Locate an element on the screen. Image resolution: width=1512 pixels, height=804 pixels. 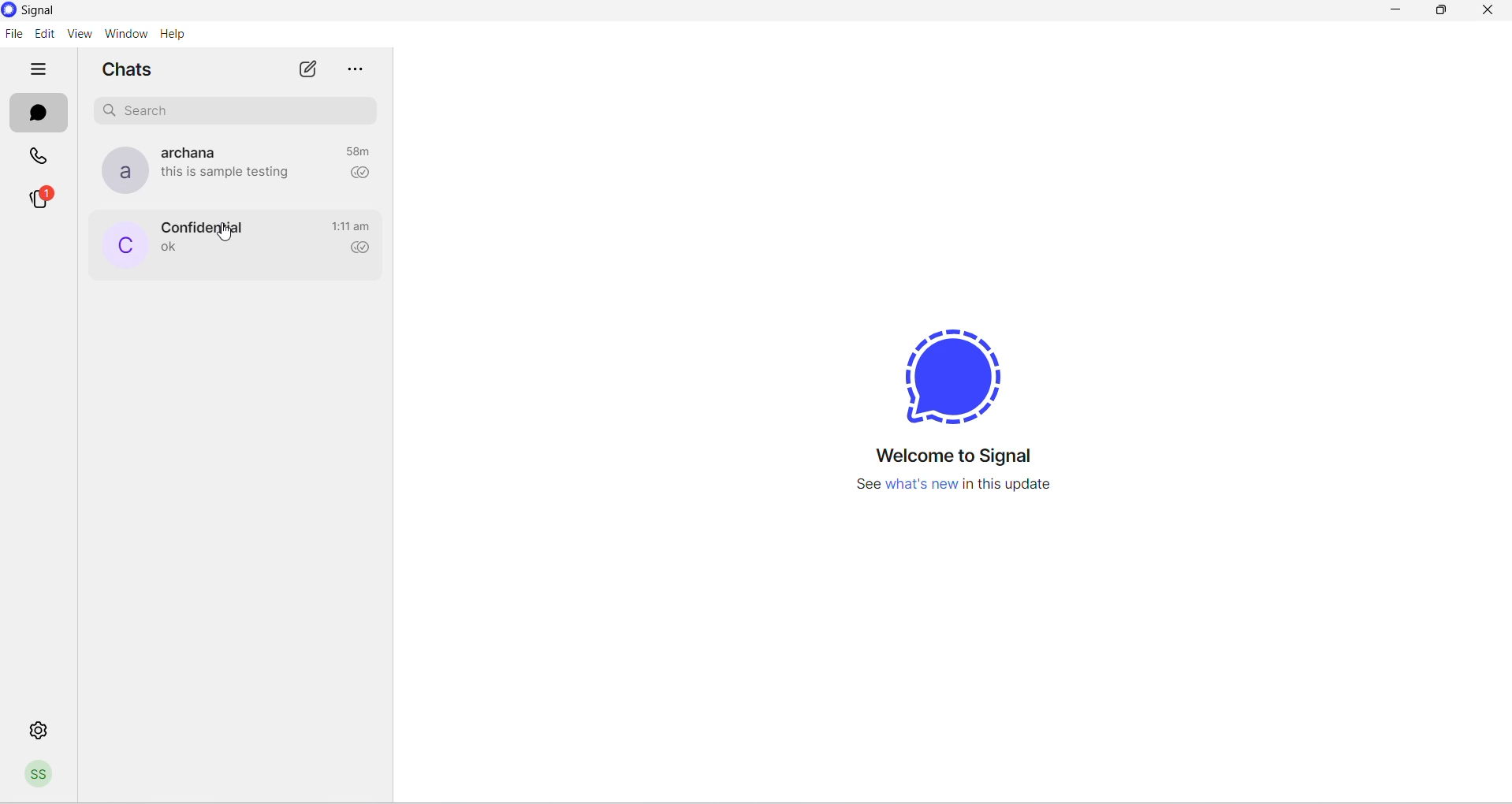
search is located at coordinates (236, 113).